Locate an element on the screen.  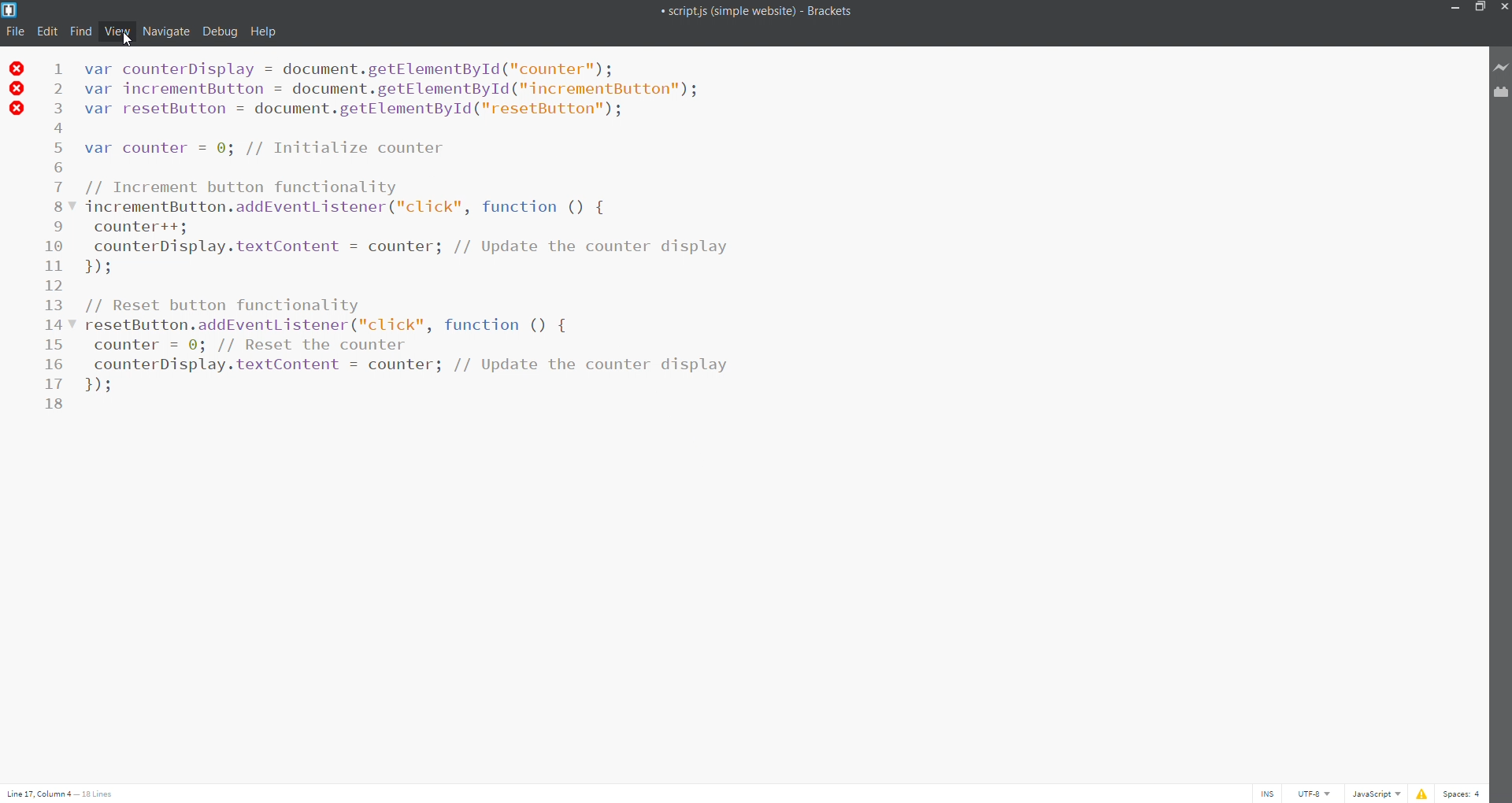
extension manager is located at coordinates (1501, 96).